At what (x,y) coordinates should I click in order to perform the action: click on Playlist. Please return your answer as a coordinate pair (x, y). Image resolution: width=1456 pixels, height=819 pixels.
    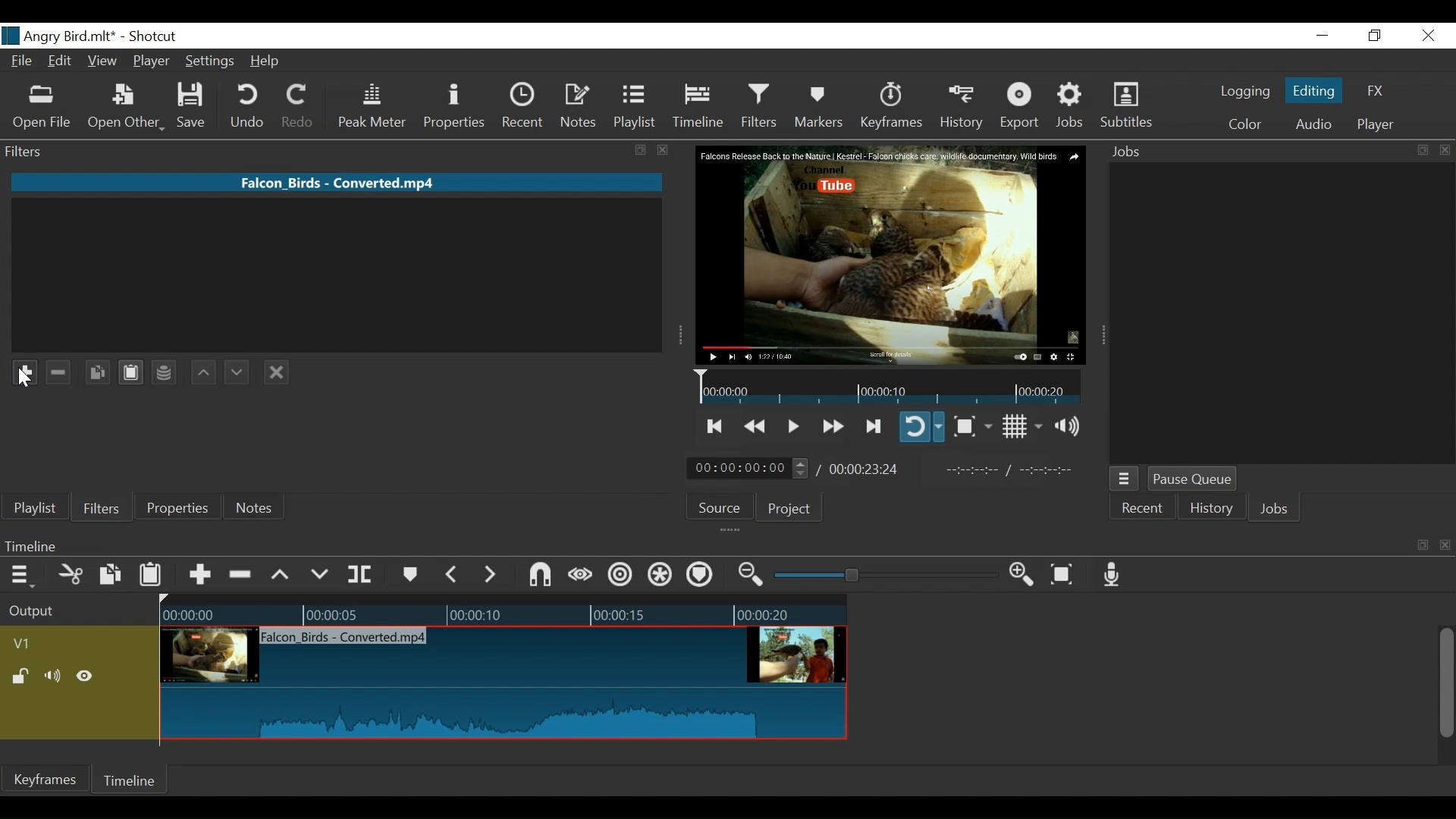
    Looking at the image, I should click on (36, 508).